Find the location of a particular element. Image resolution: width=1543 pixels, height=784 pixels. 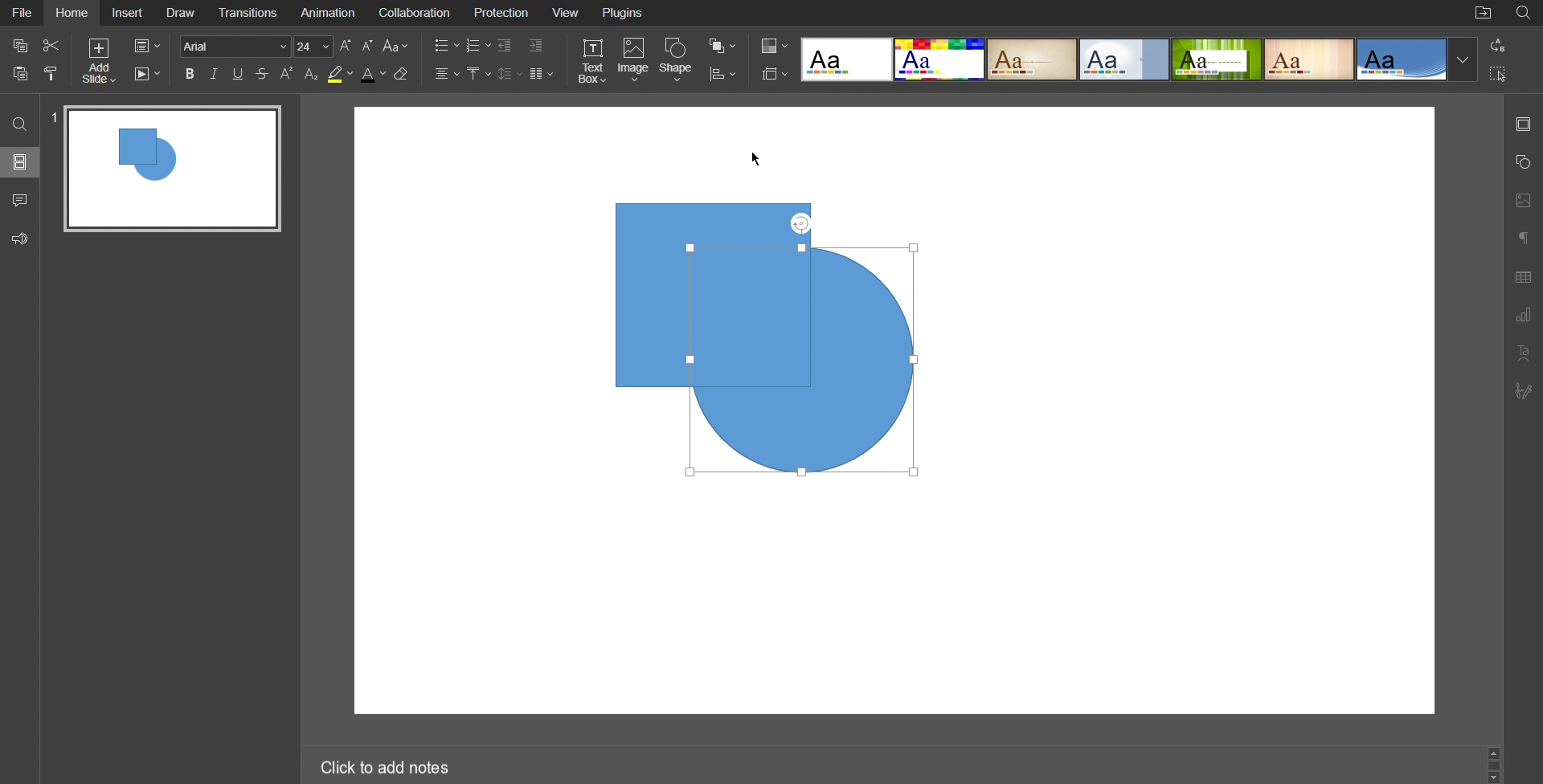

Paragraph Settings is located at coordinates (1523, 239).